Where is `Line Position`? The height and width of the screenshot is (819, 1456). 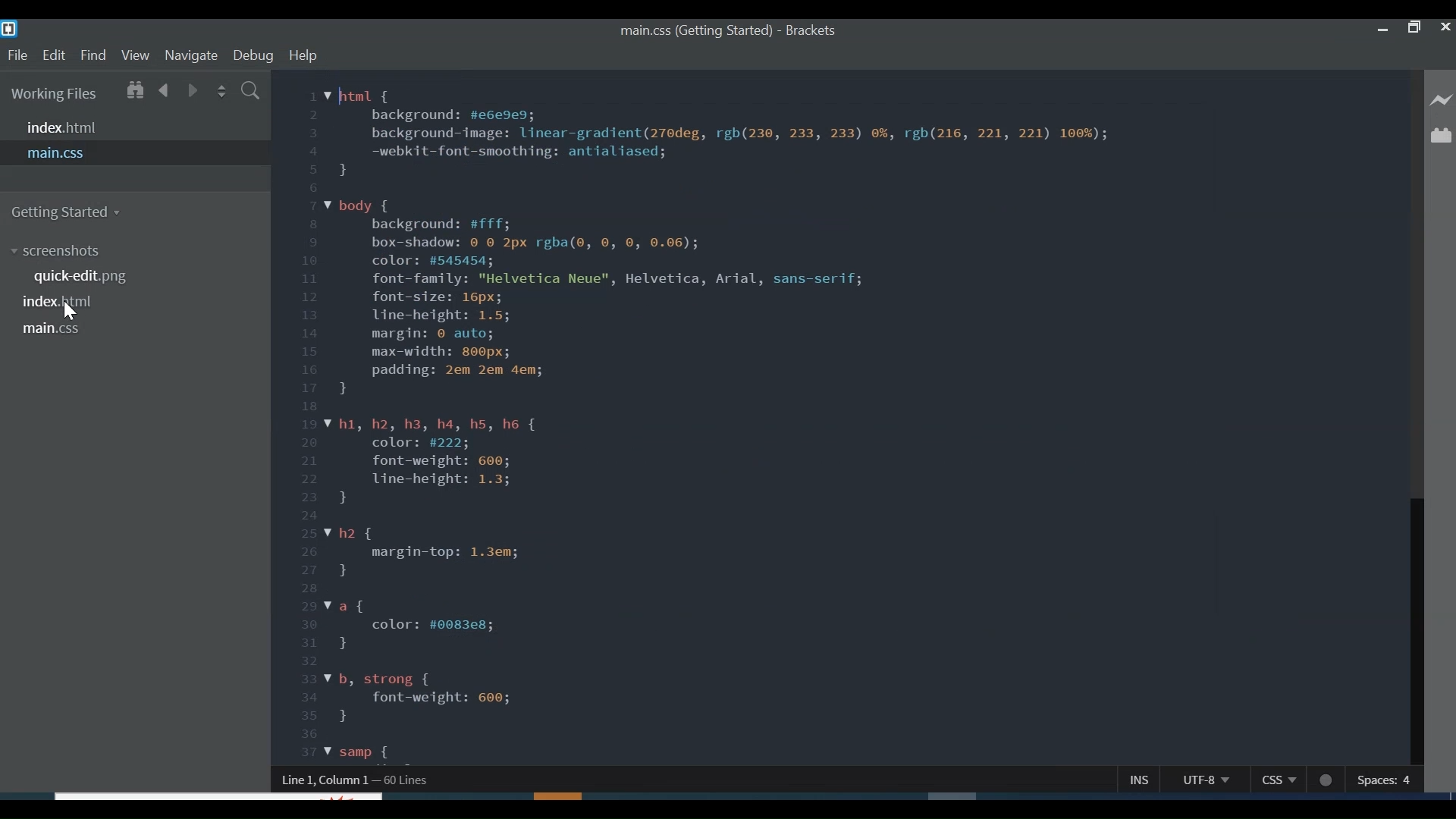 Line Position is located at coordinates (419, 780).